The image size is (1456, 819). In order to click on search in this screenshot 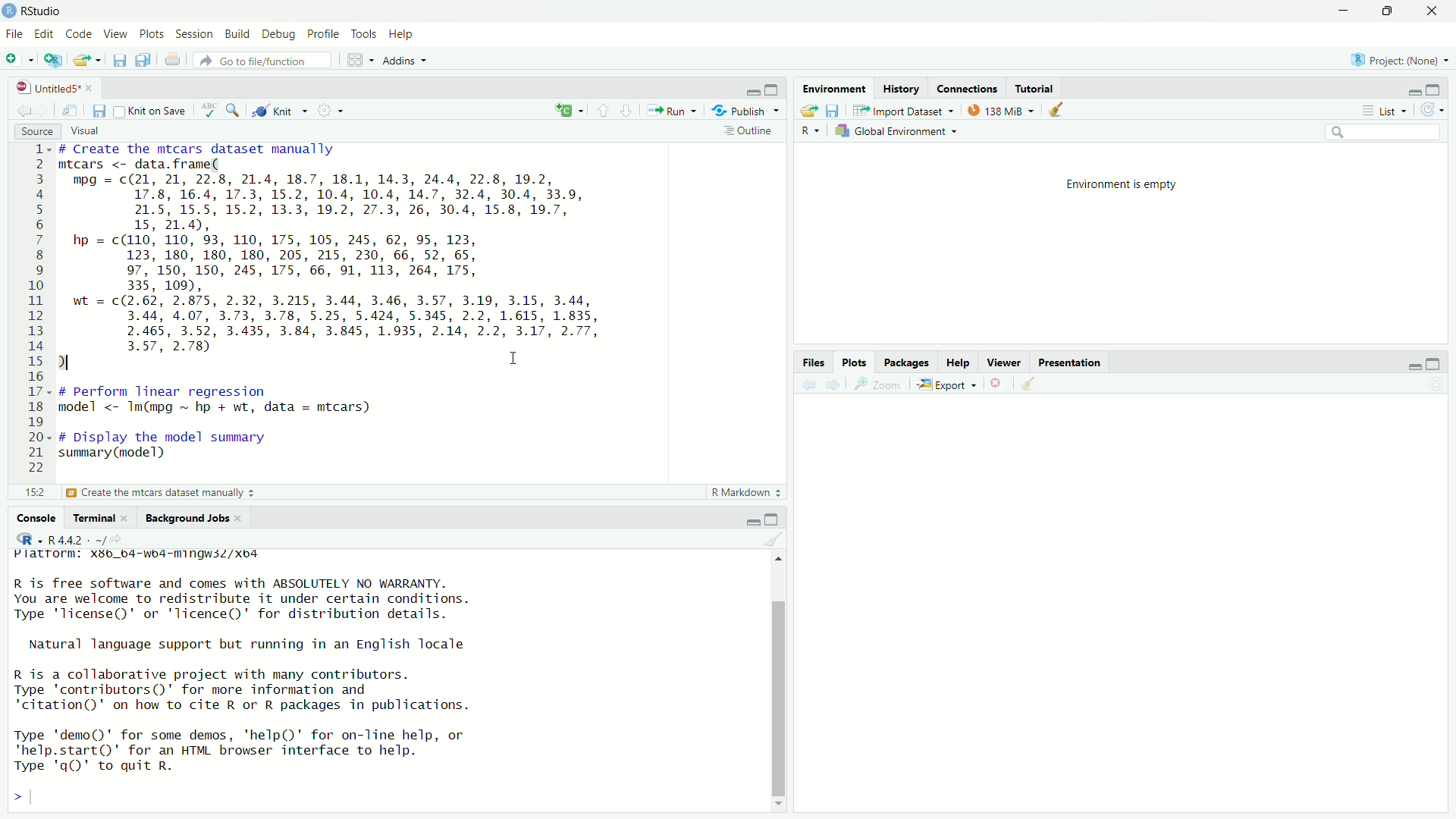, I will do `click(236, 111)`.